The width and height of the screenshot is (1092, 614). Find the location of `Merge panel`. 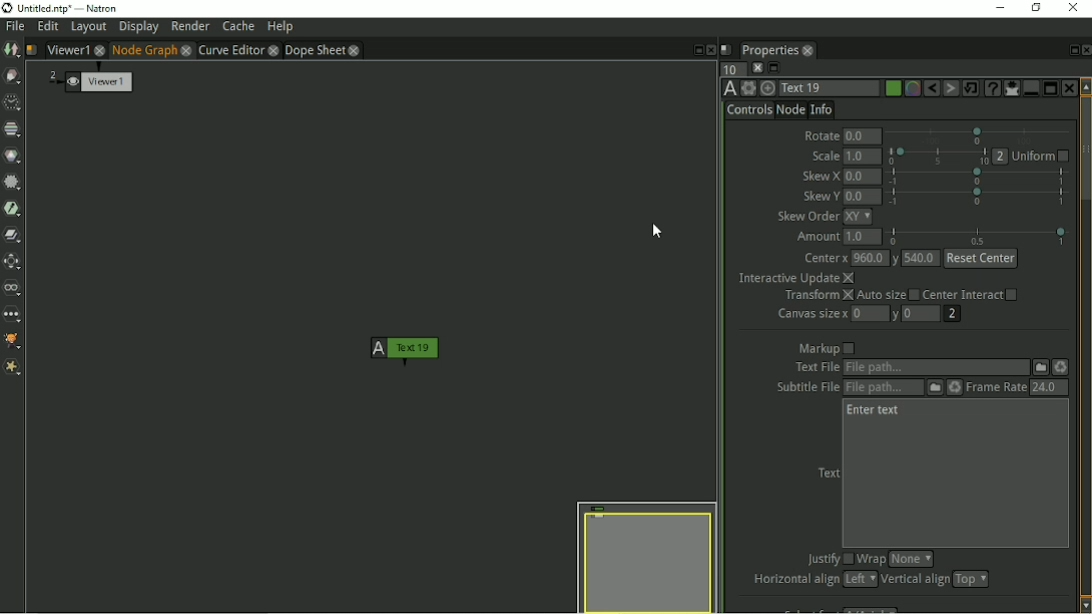

Merge panel is located at coordinates (1030, 88).